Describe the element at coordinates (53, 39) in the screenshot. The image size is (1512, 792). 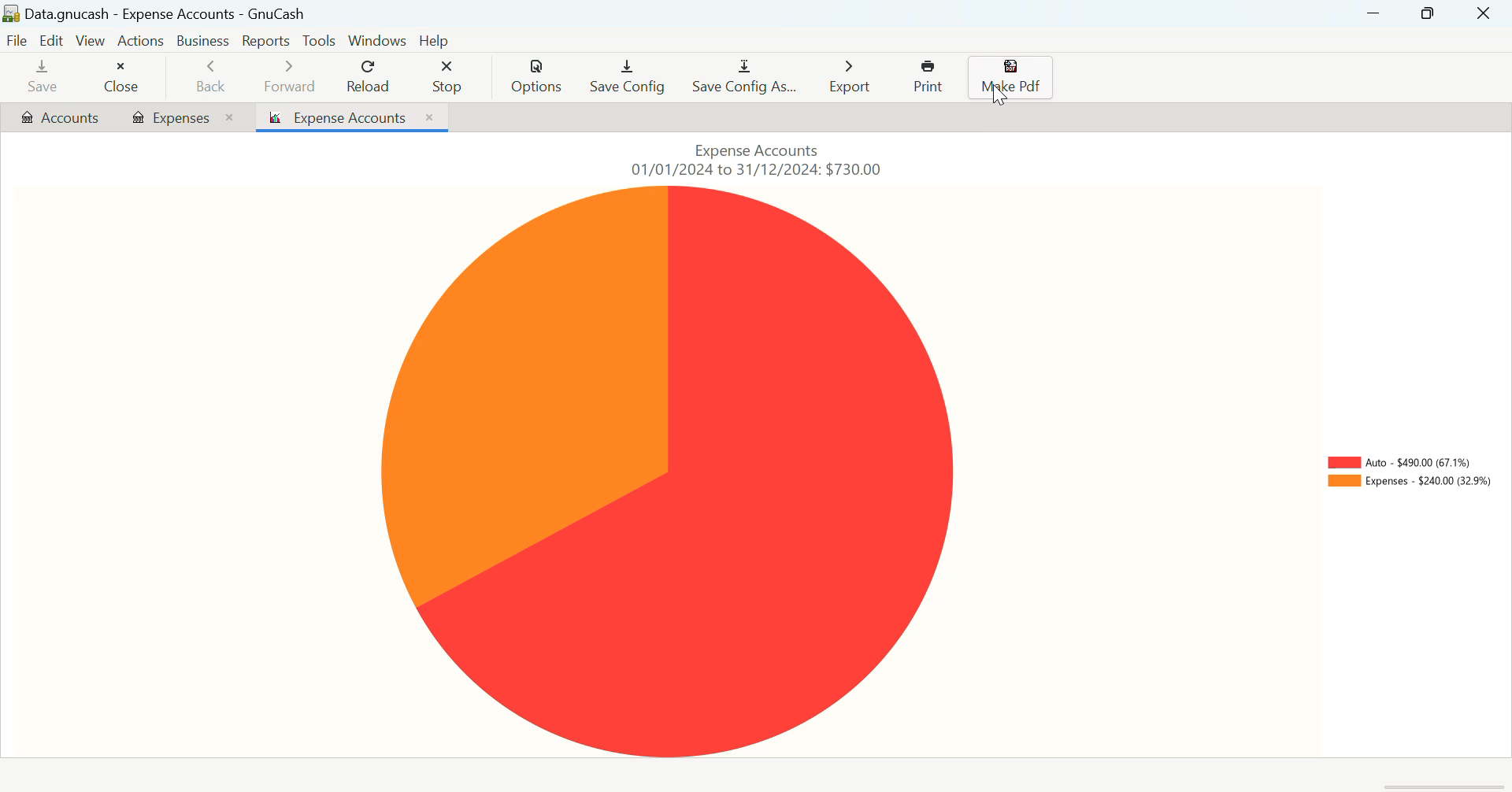
I see `Edit` at that location.